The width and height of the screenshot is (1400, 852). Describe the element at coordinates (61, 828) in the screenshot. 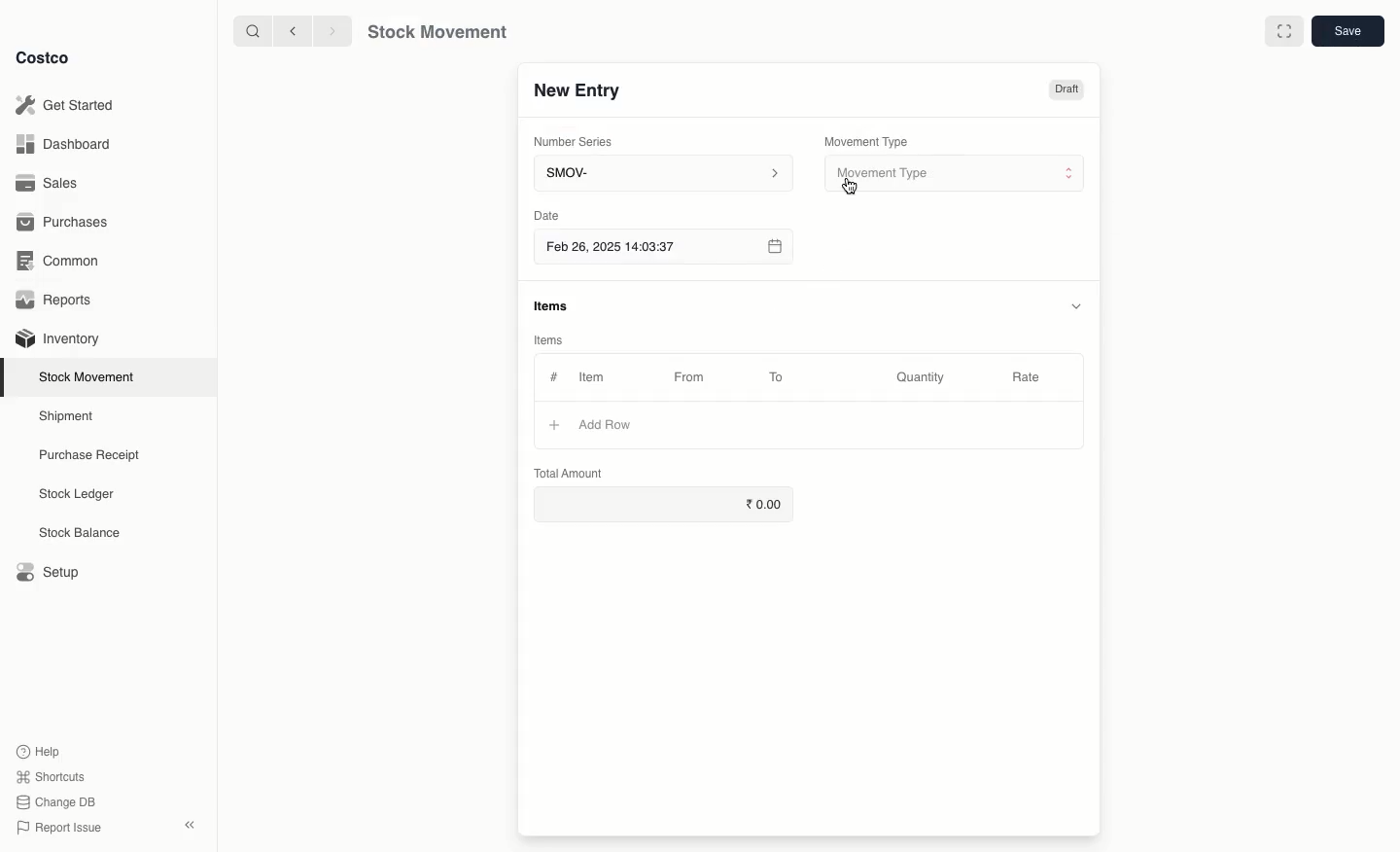

I see `Report Issue` at that location.